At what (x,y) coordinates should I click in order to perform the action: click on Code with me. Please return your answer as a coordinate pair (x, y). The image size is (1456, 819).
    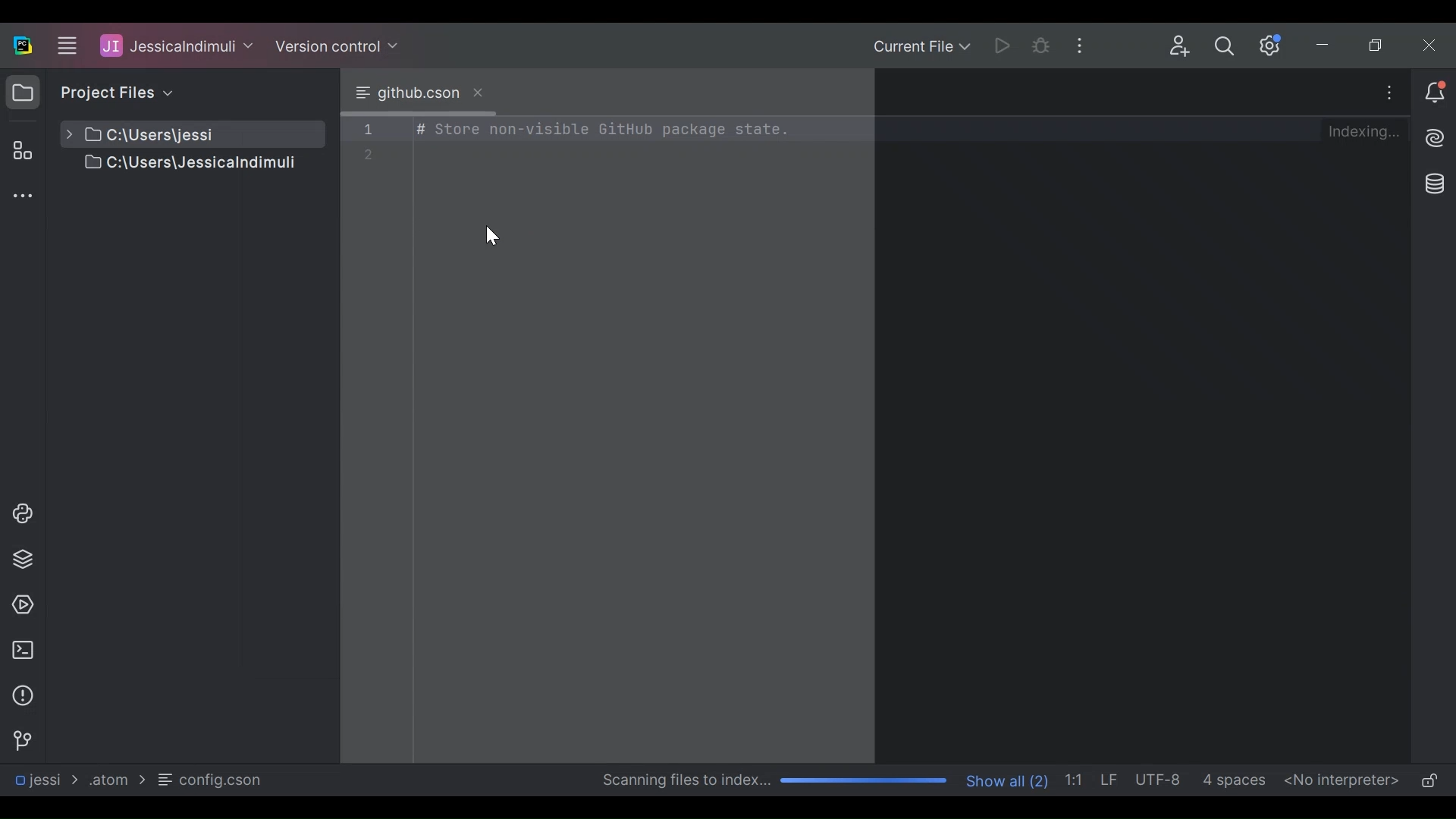
    Looking at the image, I should click on (1180, 47).